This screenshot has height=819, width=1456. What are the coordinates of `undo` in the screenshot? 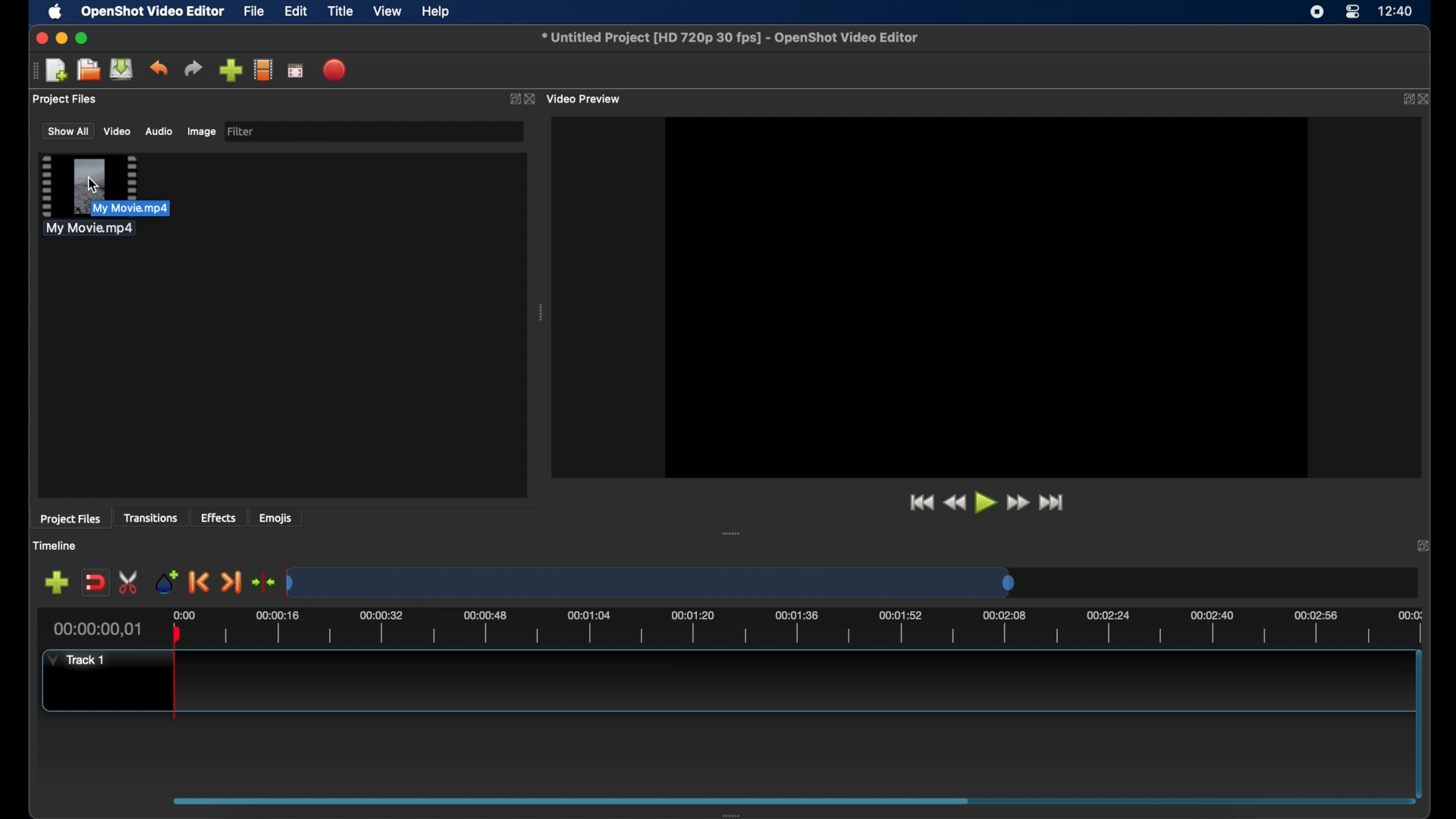 It's located at (158, 67).